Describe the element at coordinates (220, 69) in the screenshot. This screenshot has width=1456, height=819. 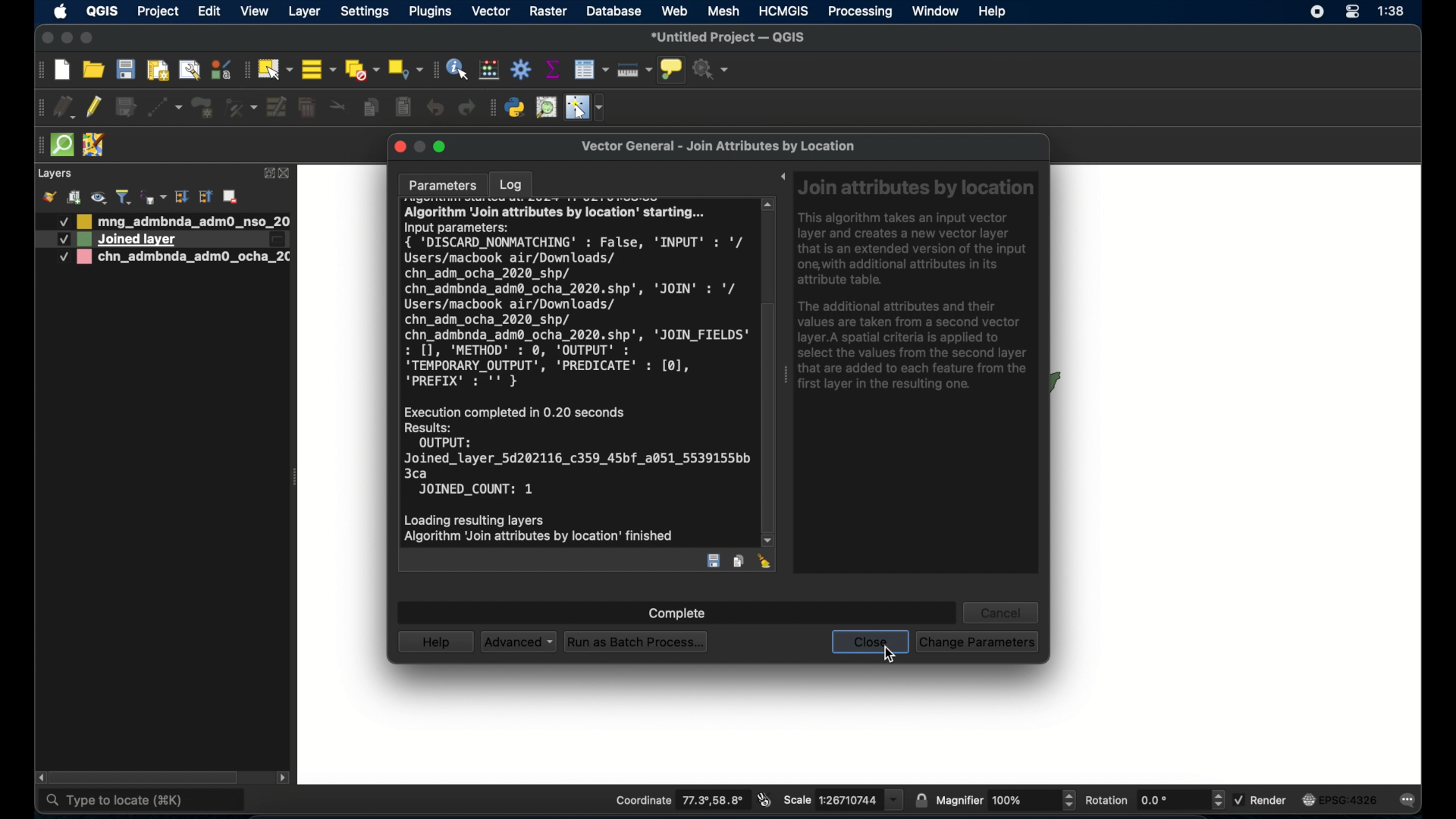
I see `style manager` at that location.